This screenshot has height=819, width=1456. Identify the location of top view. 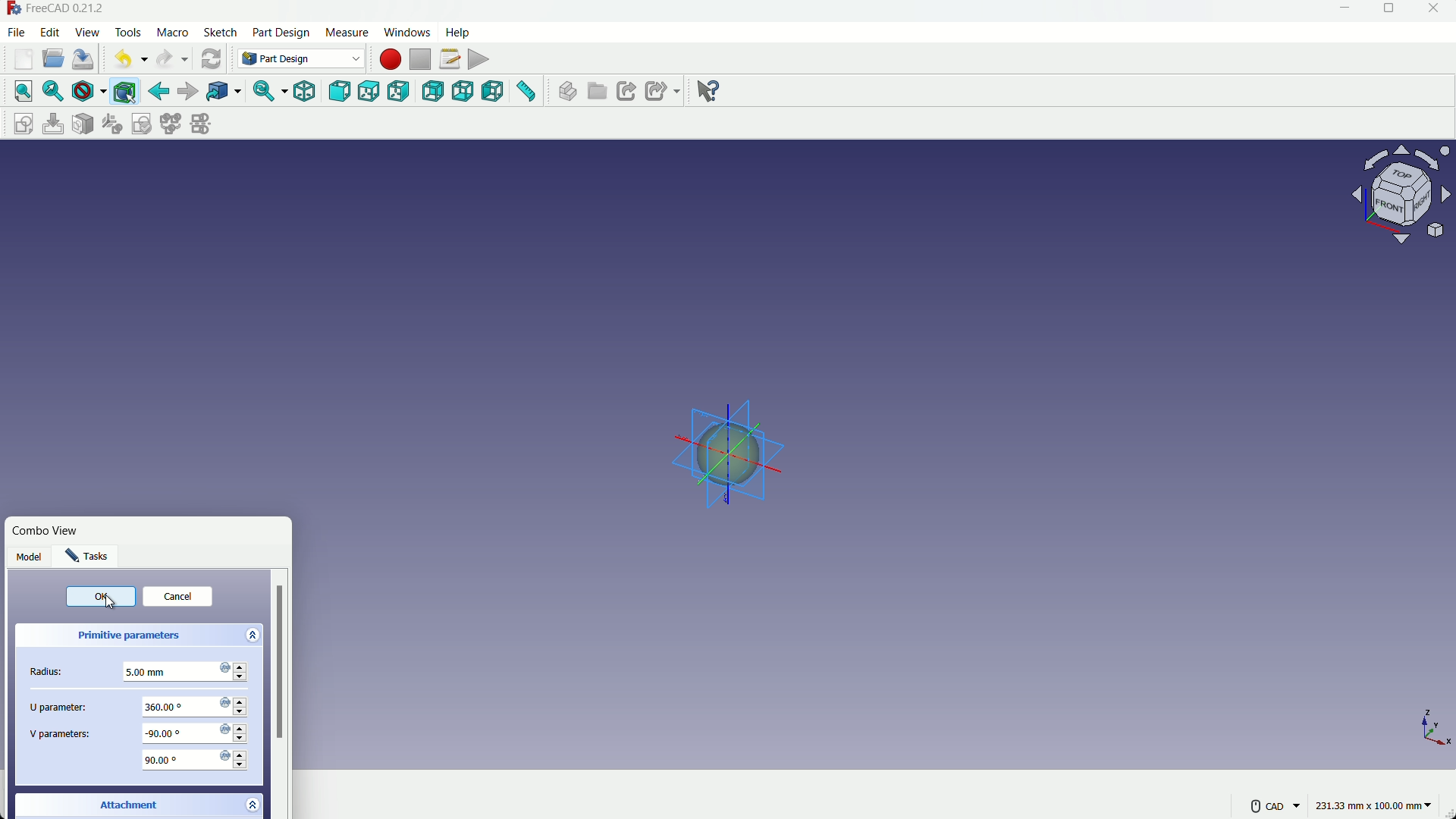
(369, 91).